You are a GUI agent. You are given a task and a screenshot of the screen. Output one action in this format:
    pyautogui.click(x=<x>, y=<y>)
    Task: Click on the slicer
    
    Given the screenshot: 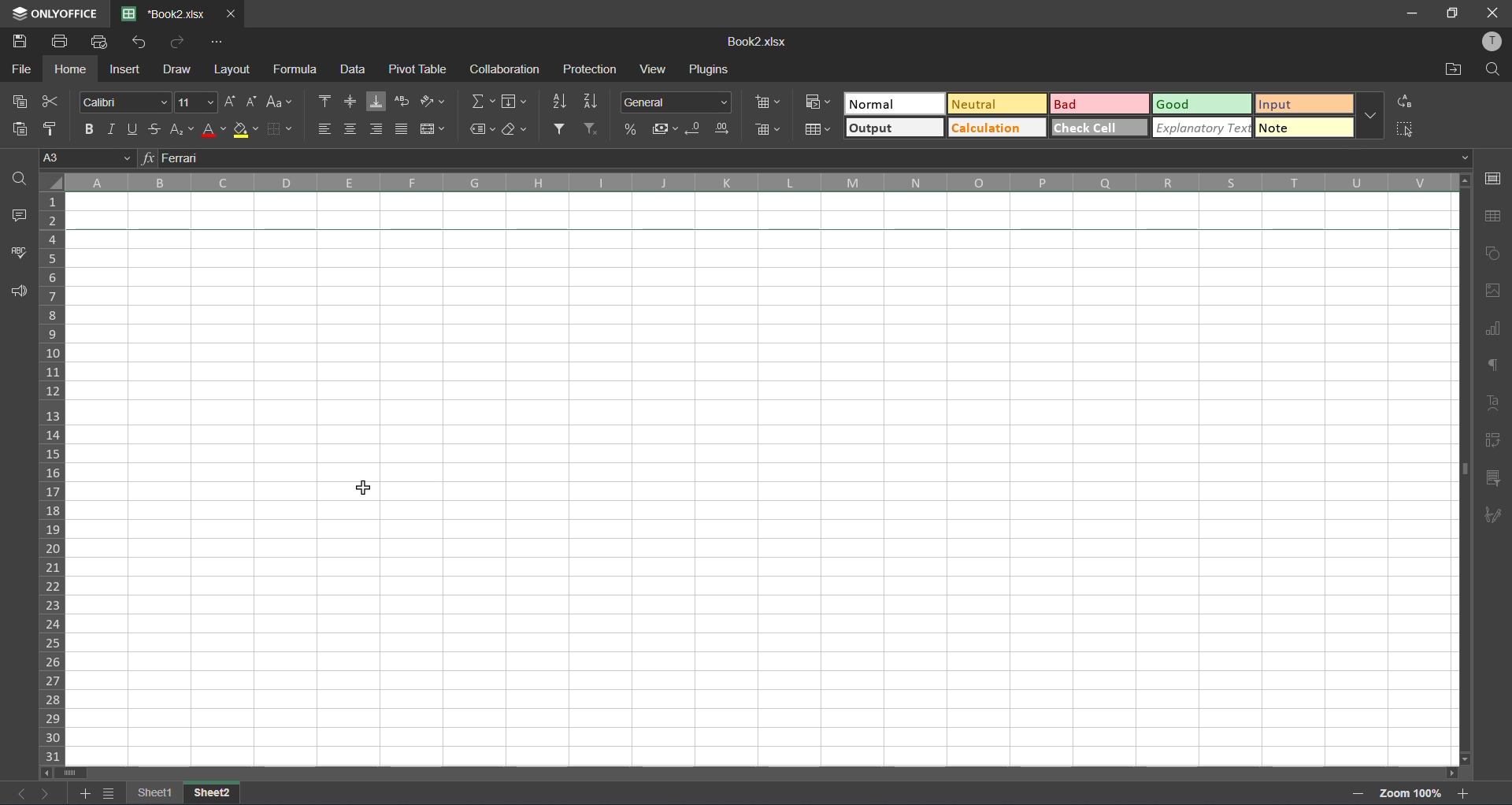 What is the action you would take?
    pyautogui.click(x=1494, y=478)
    